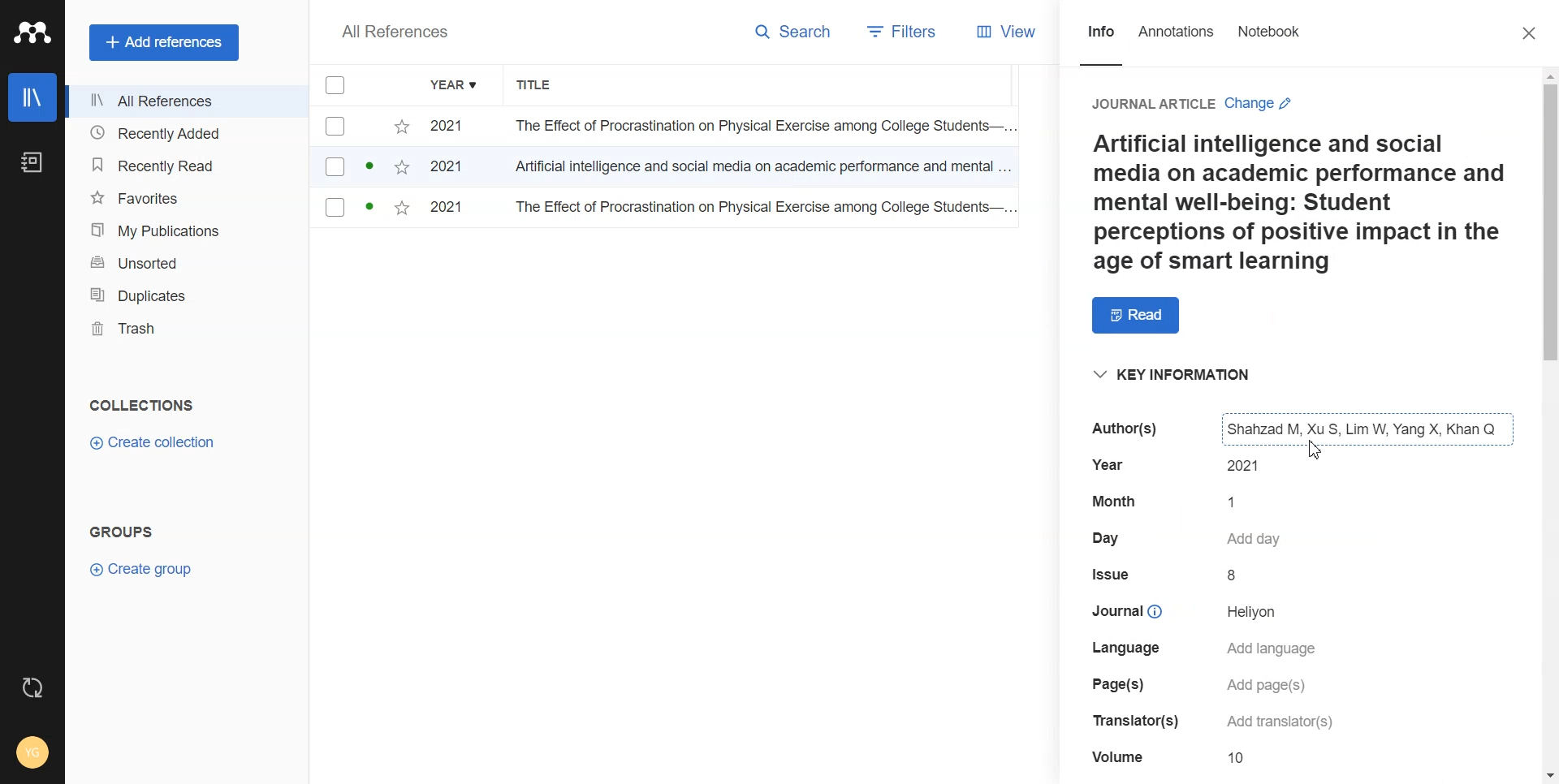 The width and height of the screenshot is (1559, 784). I want to click on Checkmarks, so click(336, 86).